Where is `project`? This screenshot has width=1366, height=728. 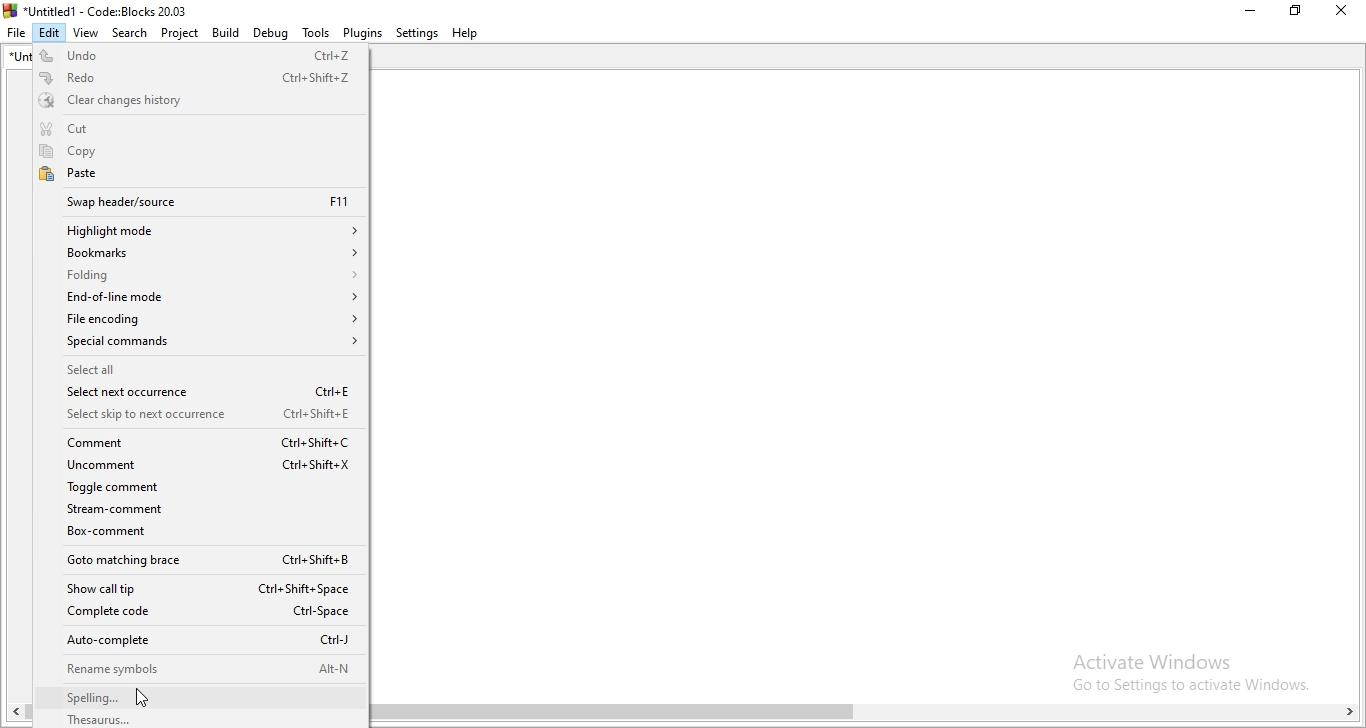
project is located at coordinates (178, 32).